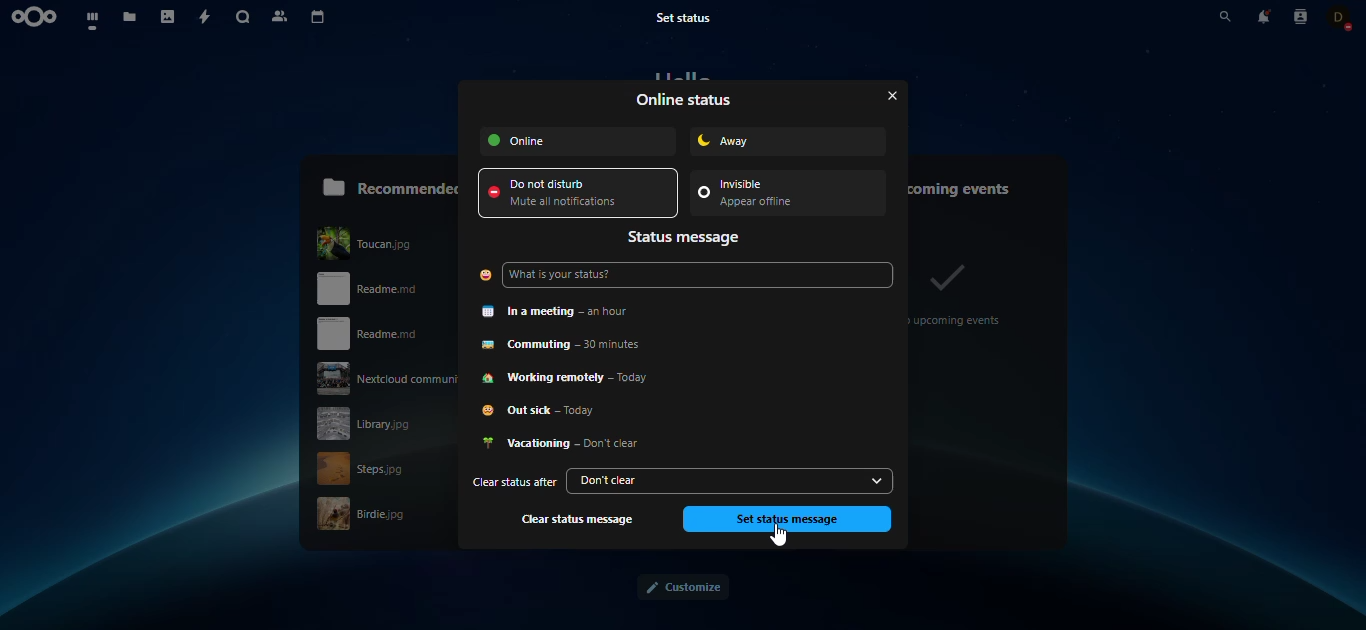 This screenshot has height=630, width=1366. Describe the element at coordinates (38, 17) in the screenshot. I see `nextcloud` at that location.